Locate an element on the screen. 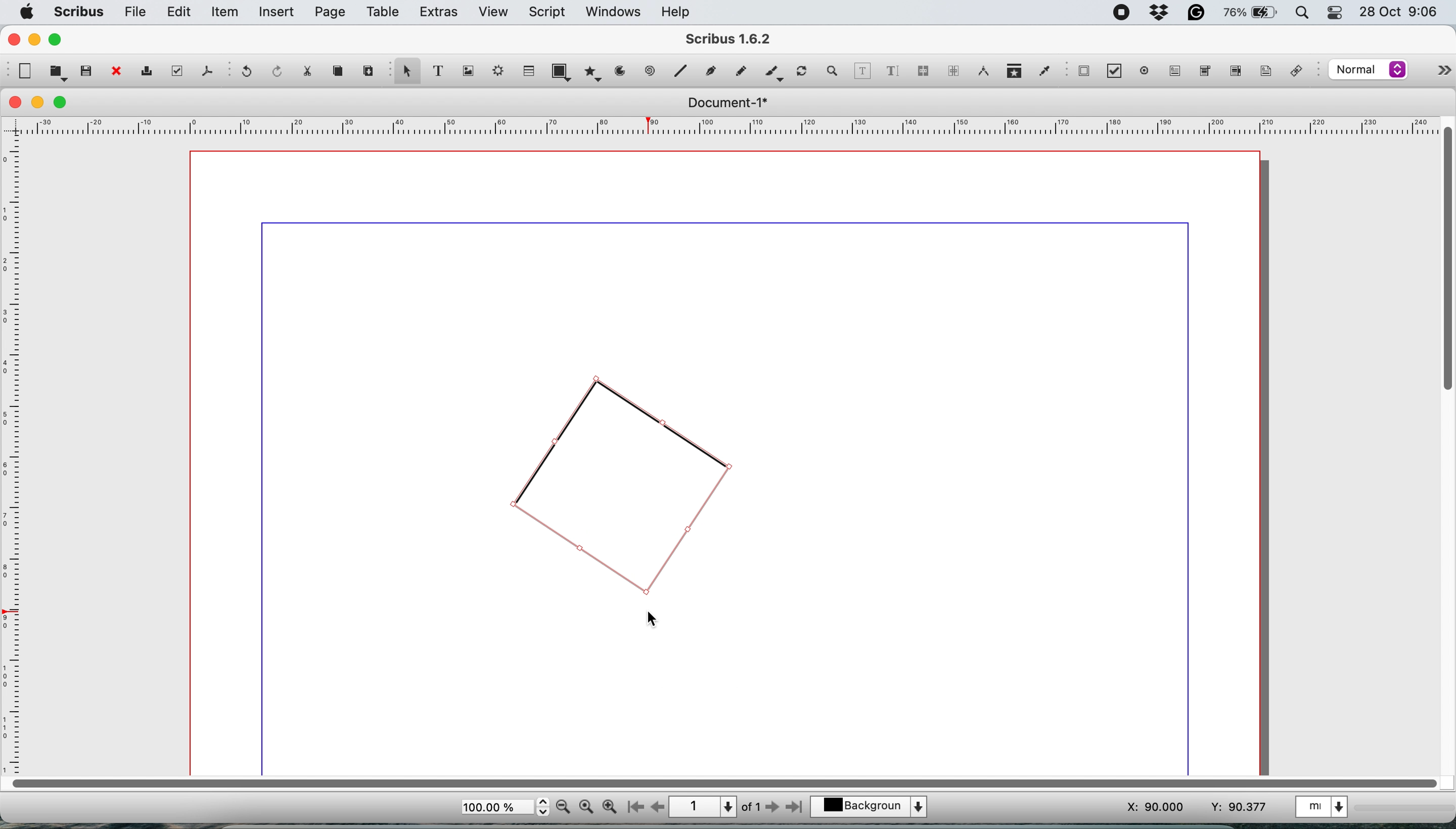 The width and height of the screenshot is (1456, 829). page 1 of 1 is located at coordinates (715, 806).